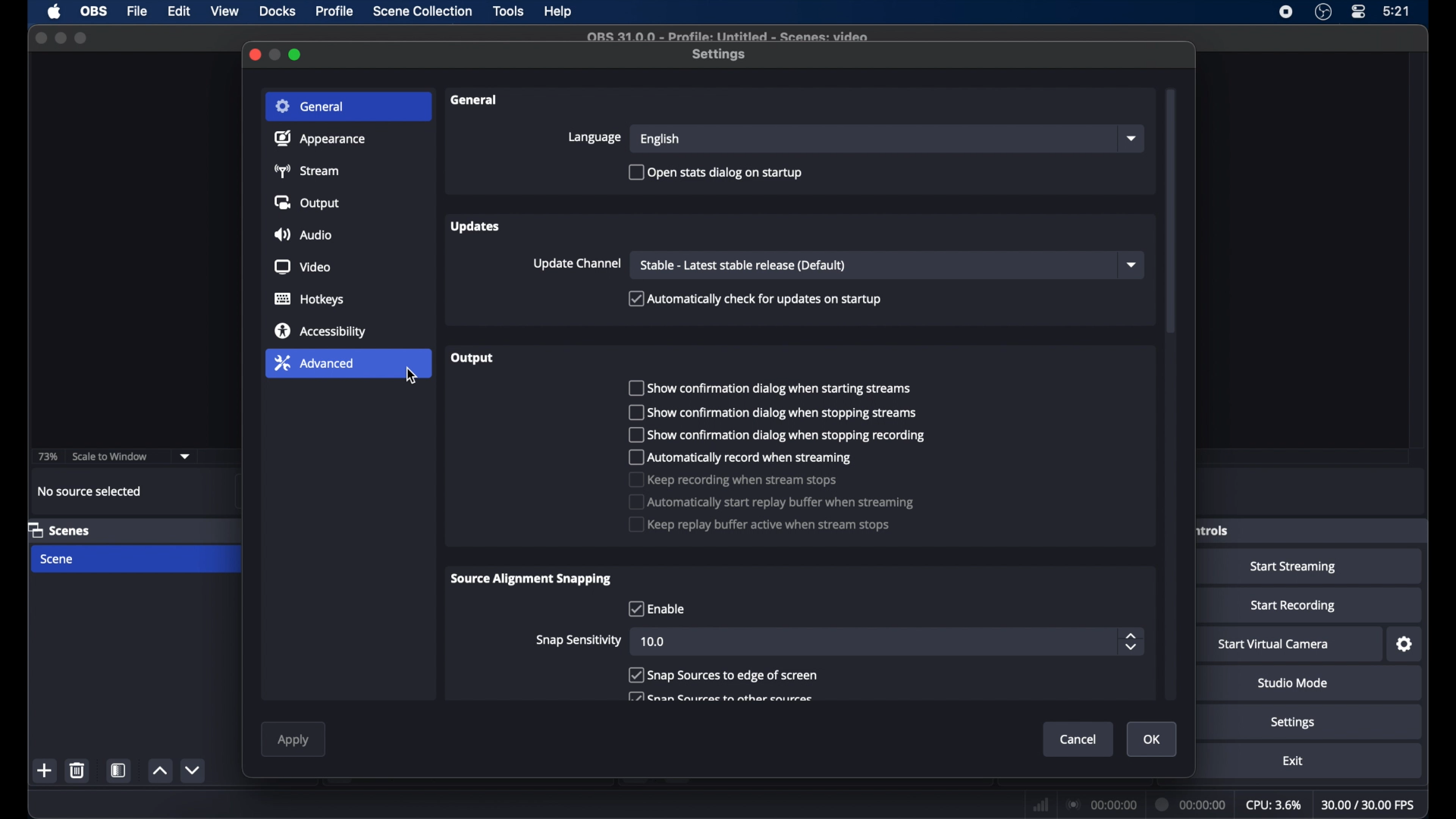 This screenshot has width=1456, height=819. Describe the element at coordinates (761, 524) in the screenshot. I see `keep replay buffer active when stream stops` at that location.